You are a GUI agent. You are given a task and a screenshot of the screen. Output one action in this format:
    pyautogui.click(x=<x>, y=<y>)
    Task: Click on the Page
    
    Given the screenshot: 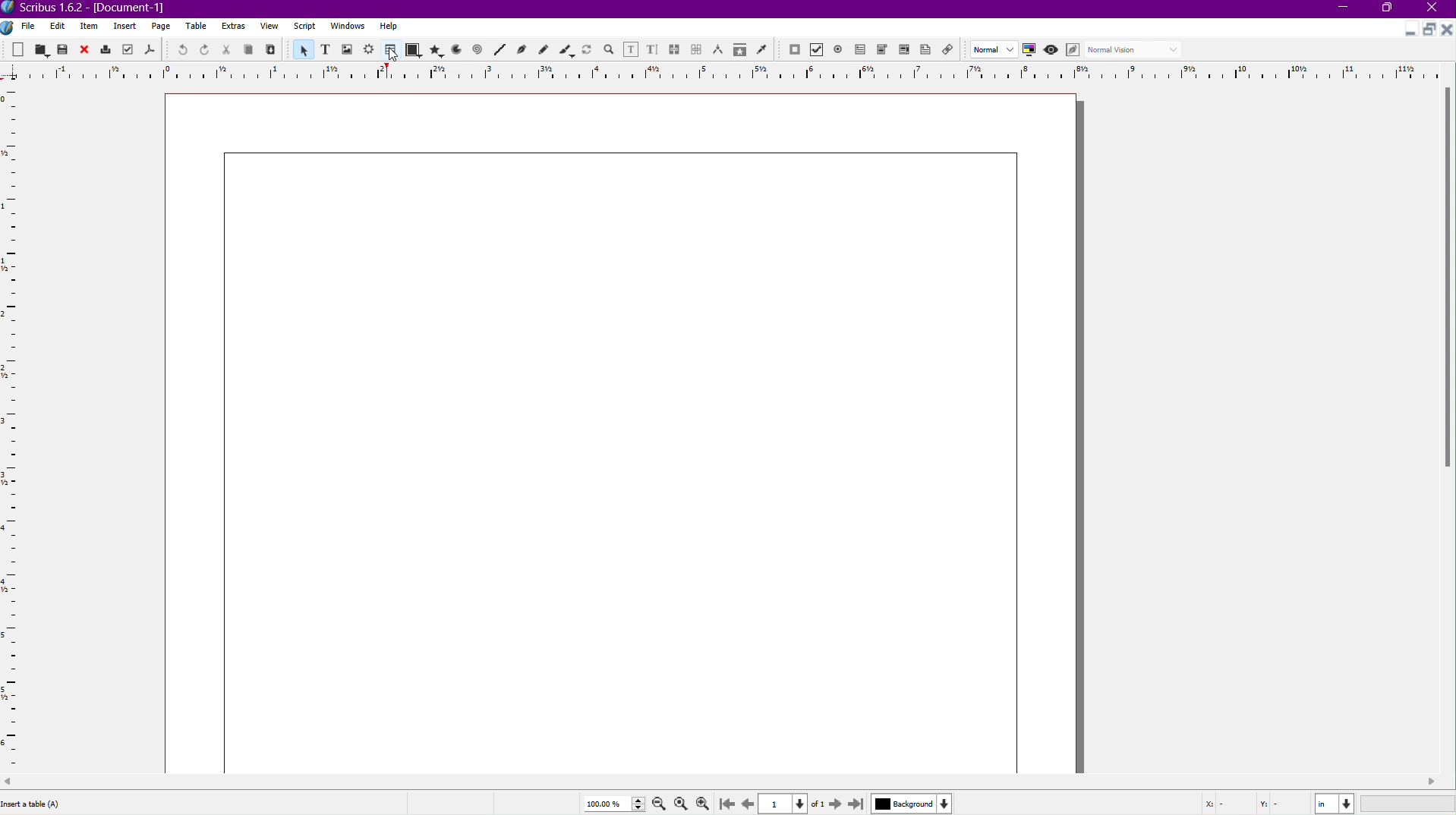 What is the action you would take?
    pyautogui.click(x=162, y=27)
    